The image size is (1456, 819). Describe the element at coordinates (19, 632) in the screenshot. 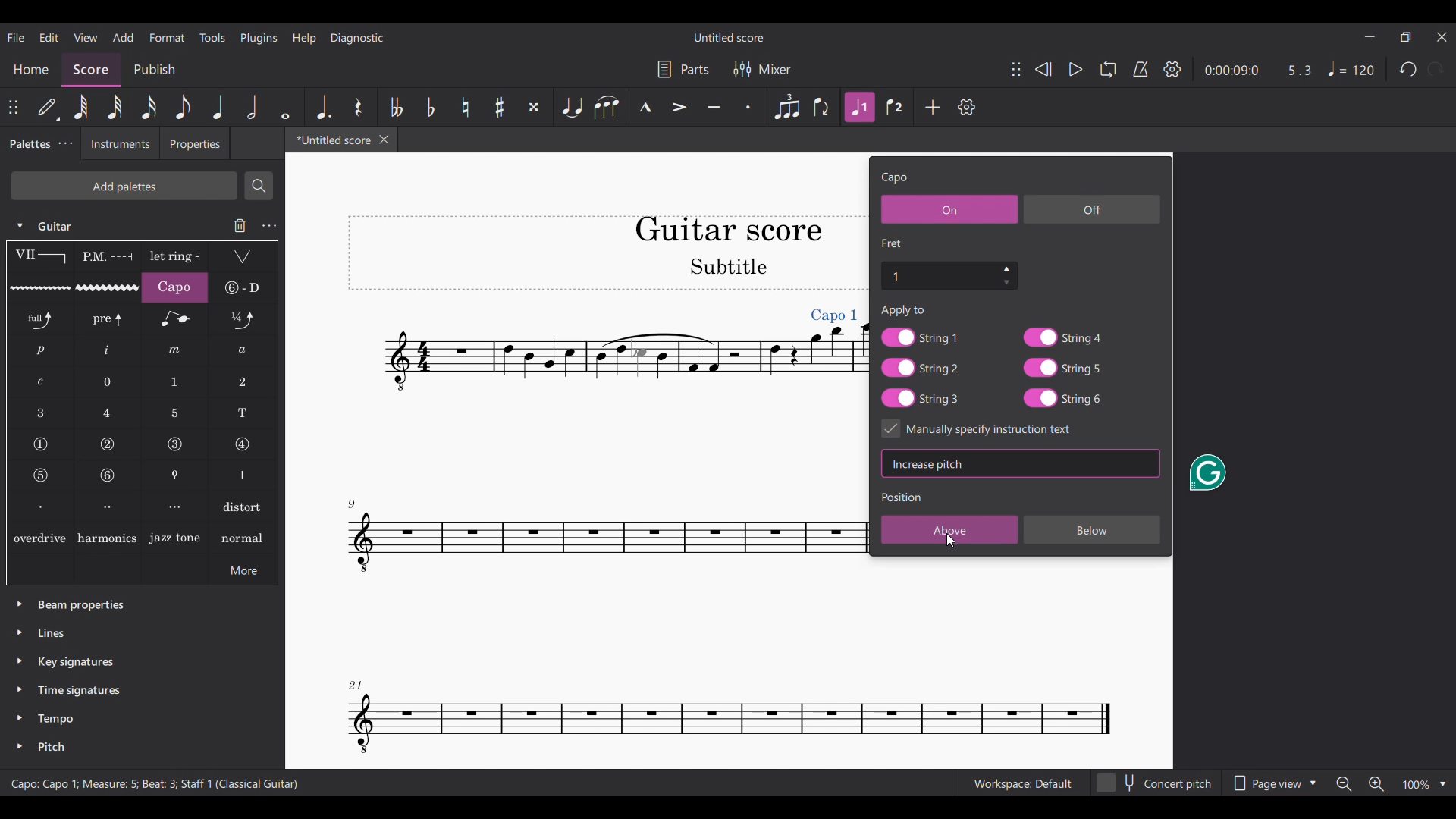

I see `Click to expand lines palette` at that location.